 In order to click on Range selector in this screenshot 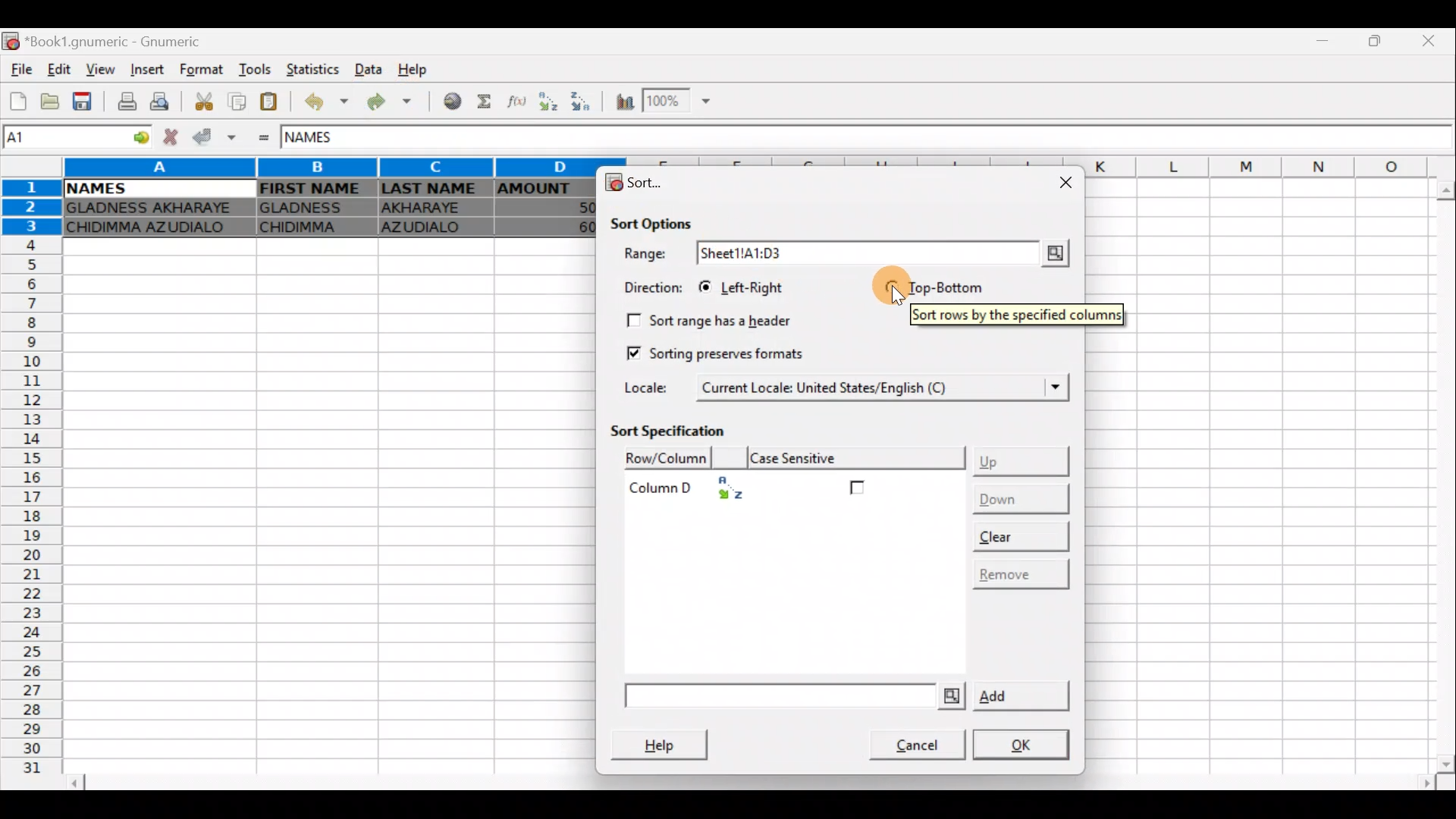, I will do `click(1053, 253)`.